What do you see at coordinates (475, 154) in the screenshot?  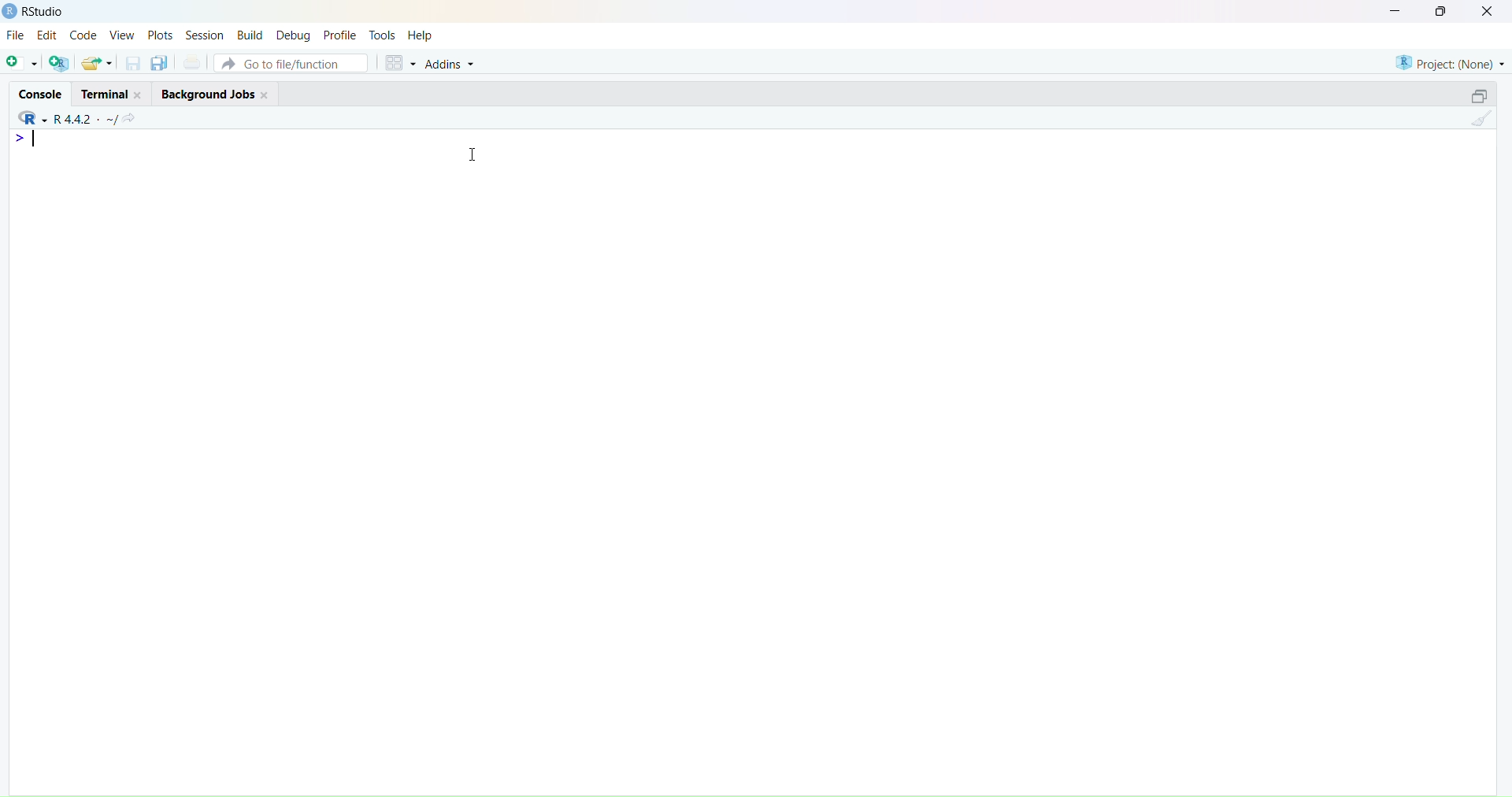 I see `cursor` at bounding box center [475, 154].